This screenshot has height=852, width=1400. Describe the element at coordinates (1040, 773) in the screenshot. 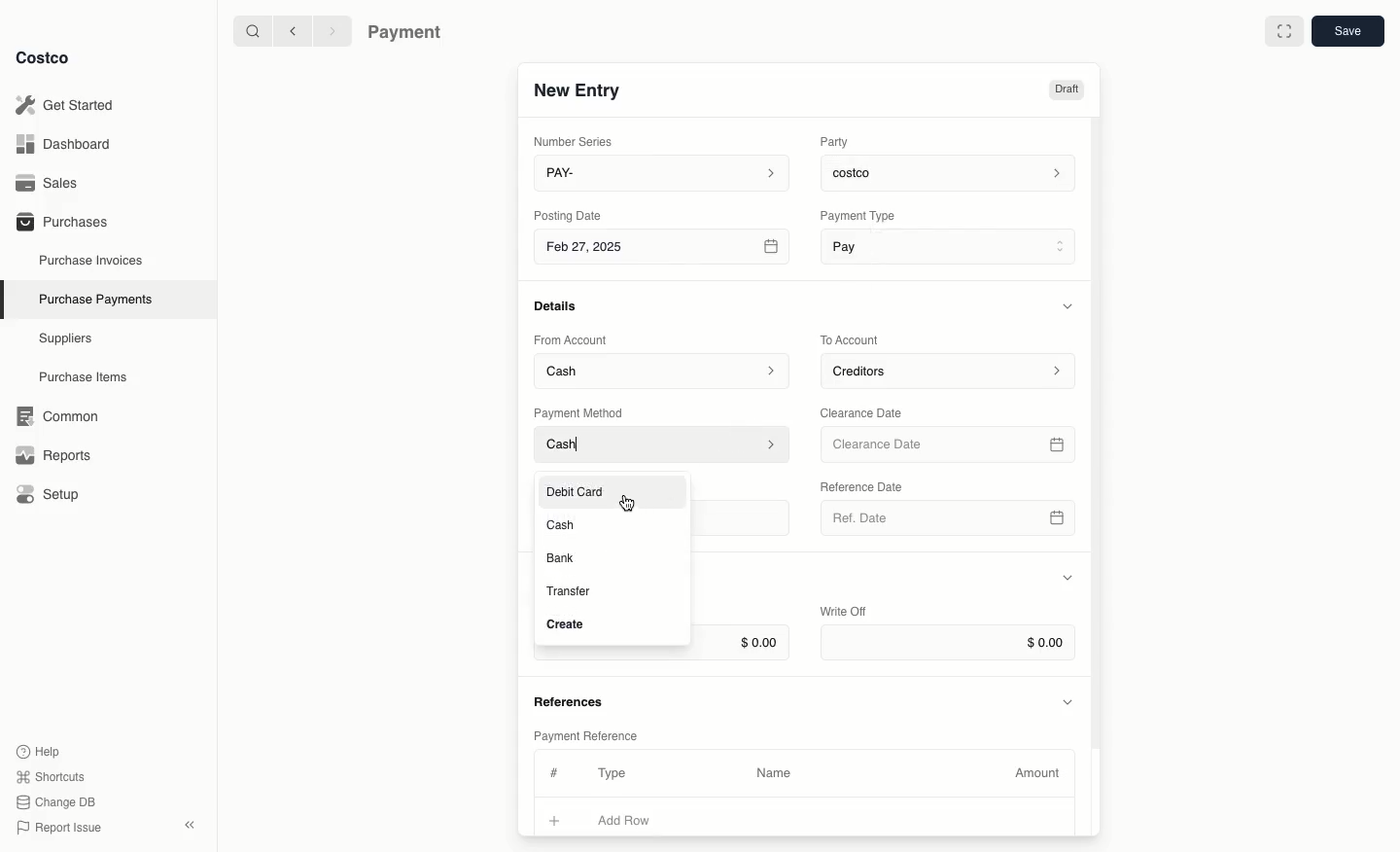

I see `Amount` at that location.